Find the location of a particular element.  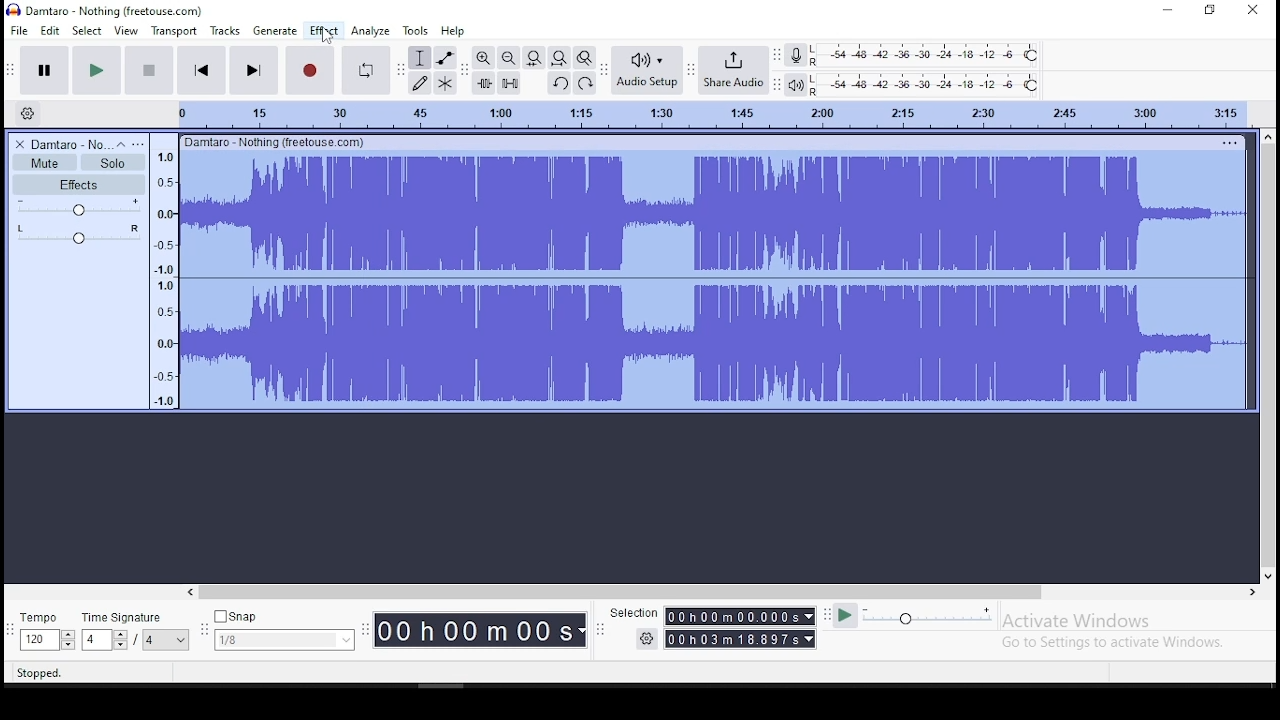

 is located at coordinates (201, 629).